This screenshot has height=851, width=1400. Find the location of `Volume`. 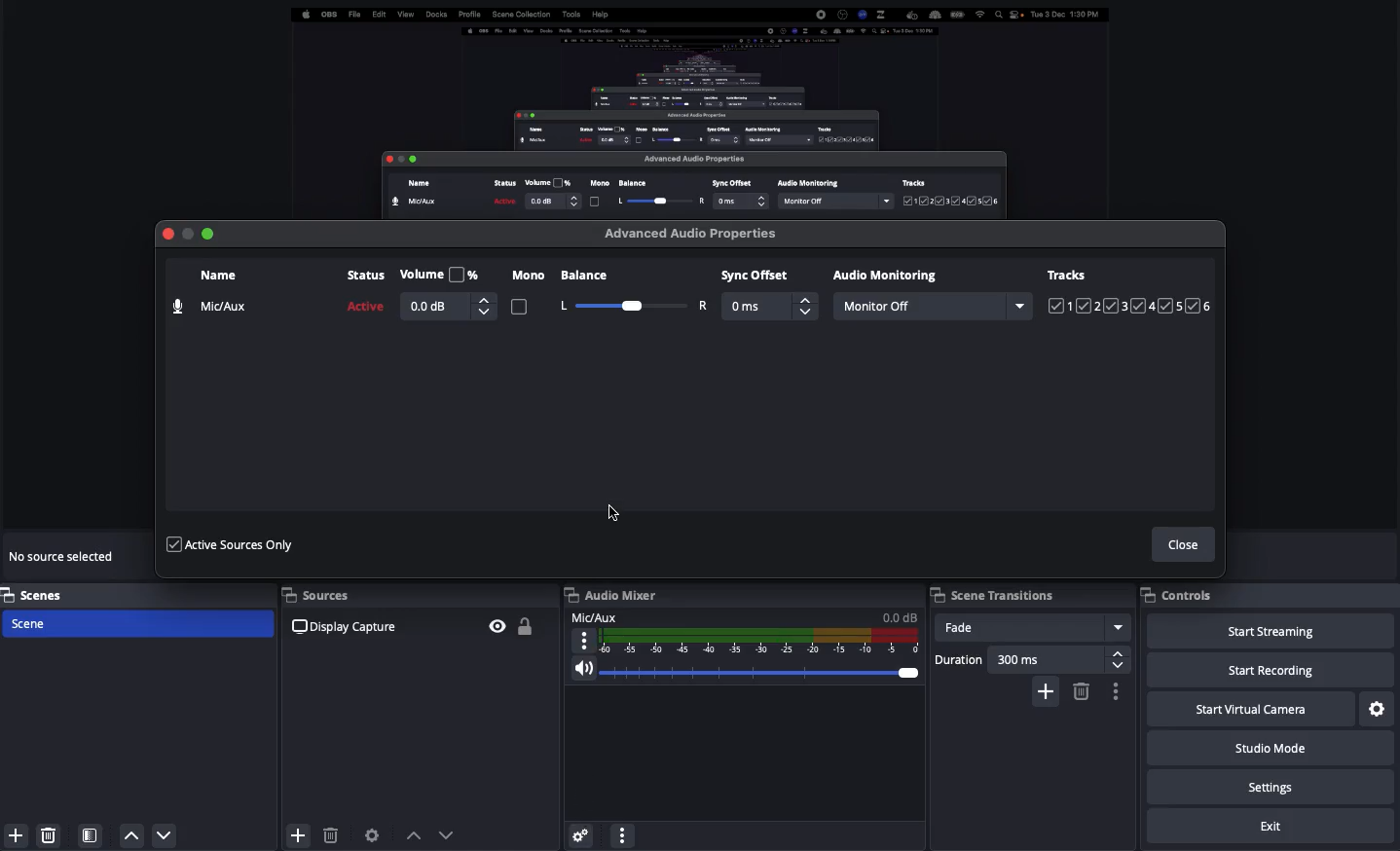

Volume is located at coordinates (448, 292).